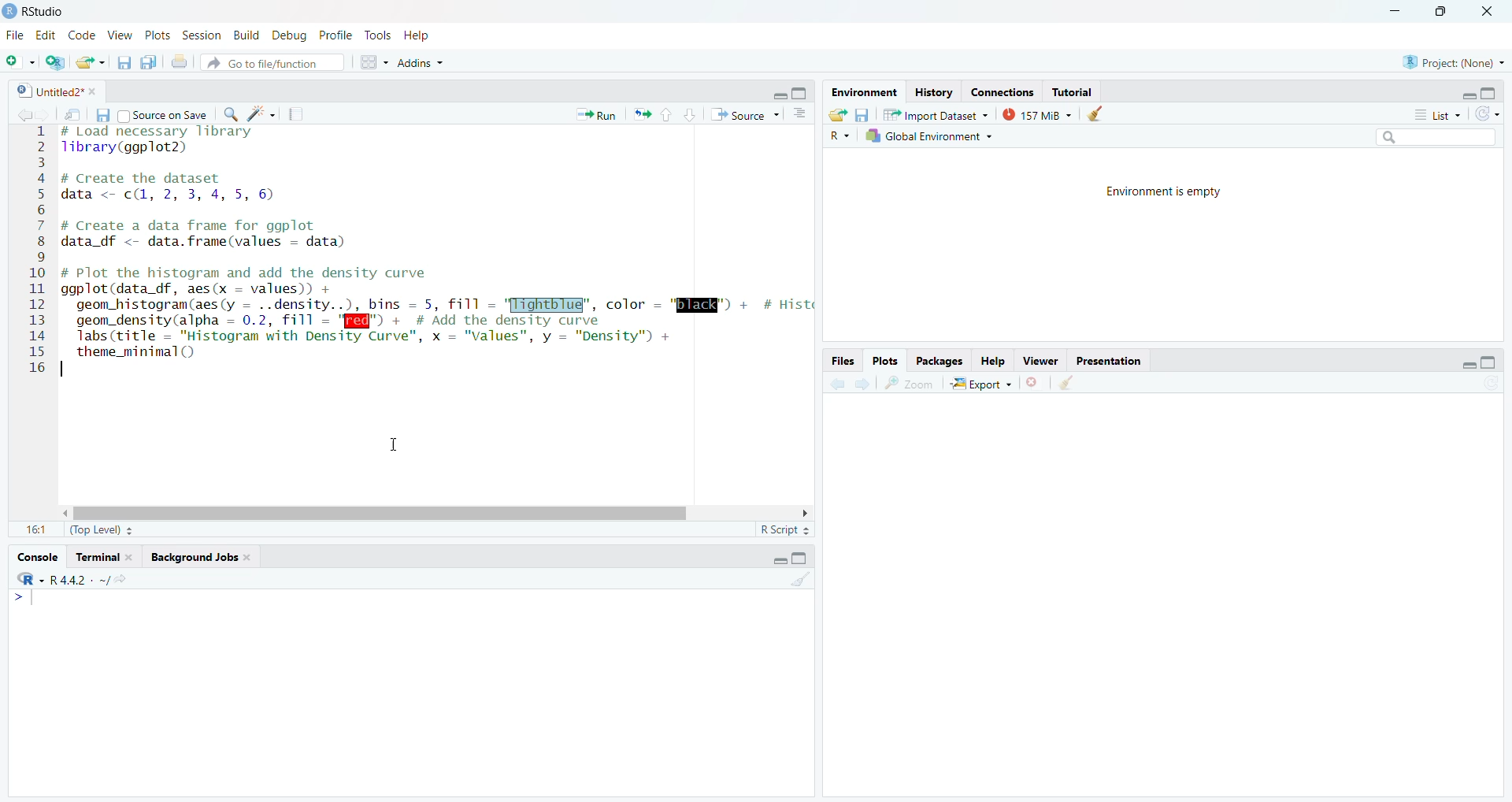 The image size is (1512, 802). Describe the element at coordinates (1436, 136) in the screenshot. I see `search` at that location.